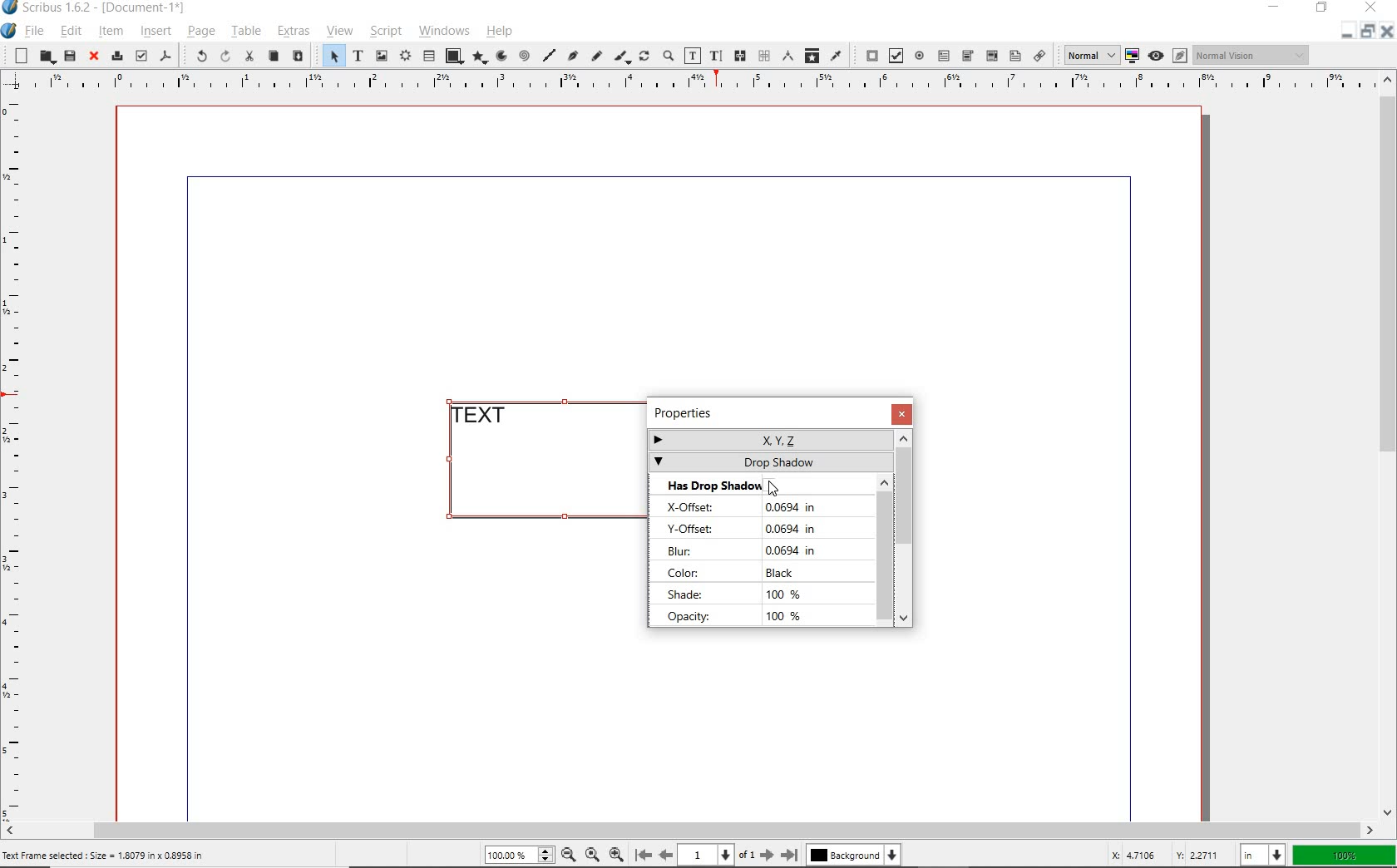 The width and height of the screenshot is (1397, 868). What do you see at coordinates (225, 56) in the screenshot?
I see `redo` at bounding box center [225, 56].